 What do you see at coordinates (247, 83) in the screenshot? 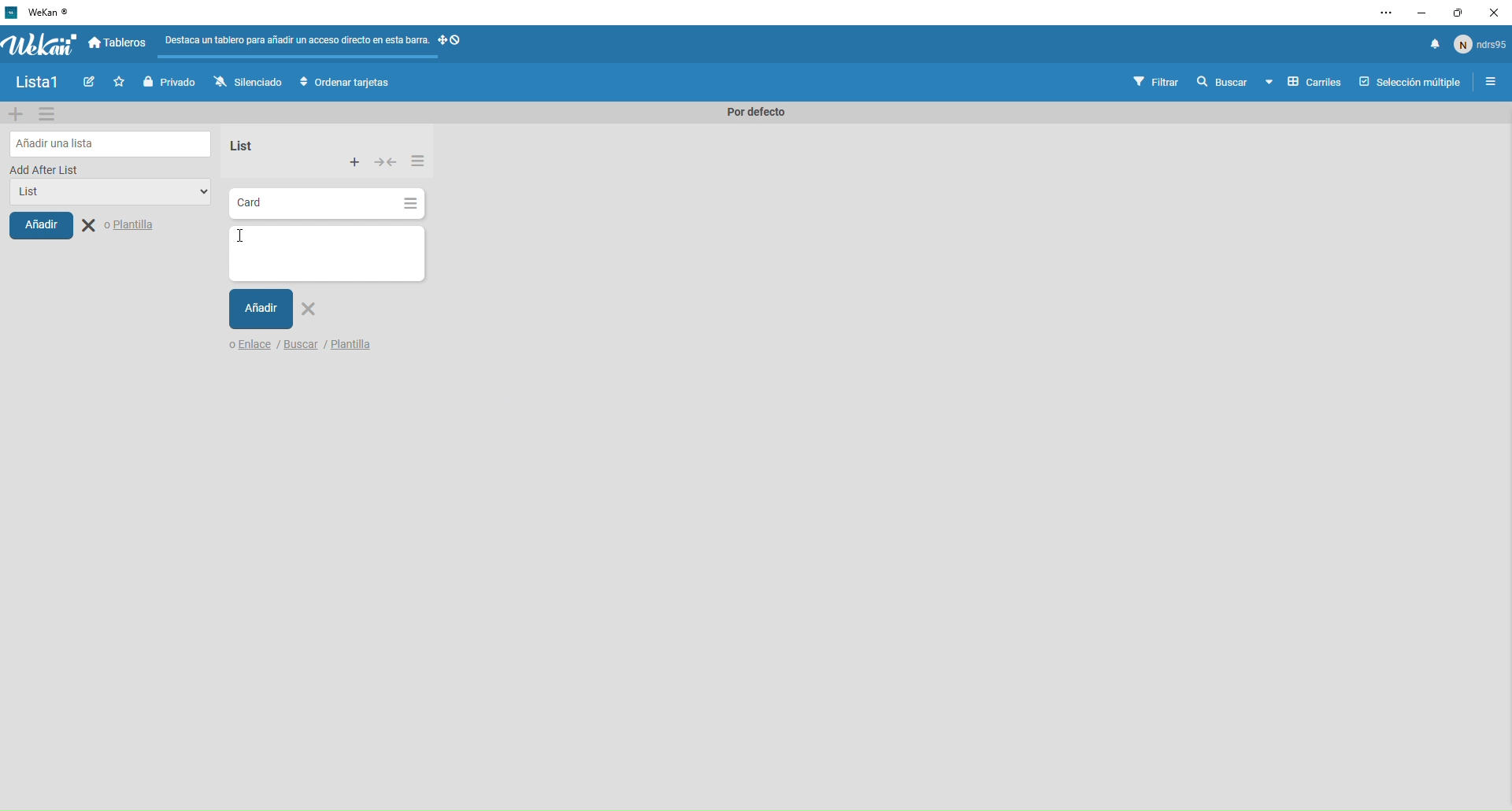
I see `Silence` at bounding box center [247, 83].